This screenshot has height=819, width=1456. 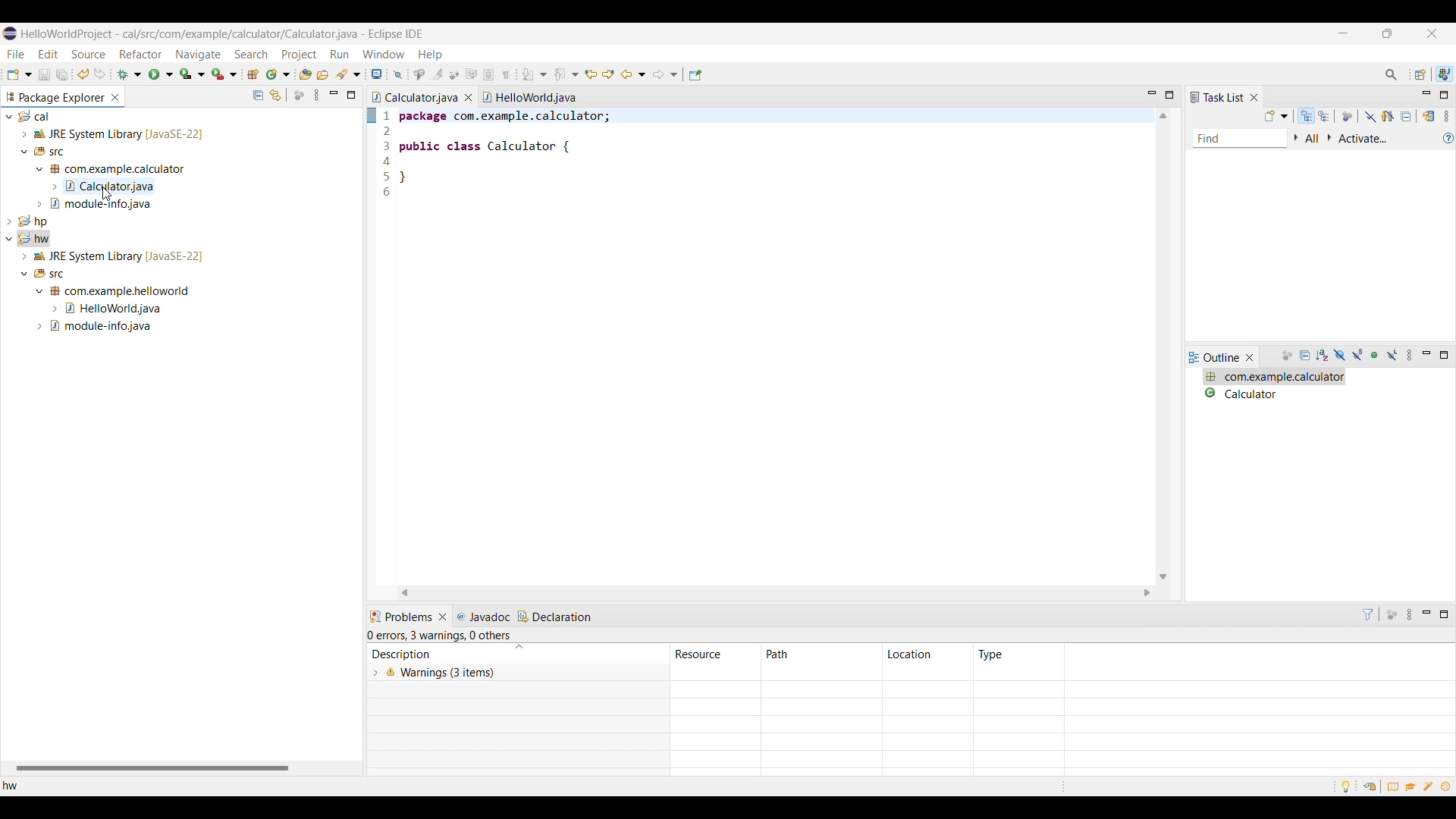 What do you see at coordinates (1393, 786) in the screenshot?
I see `Overview ` at bounding box center [1393, 786].